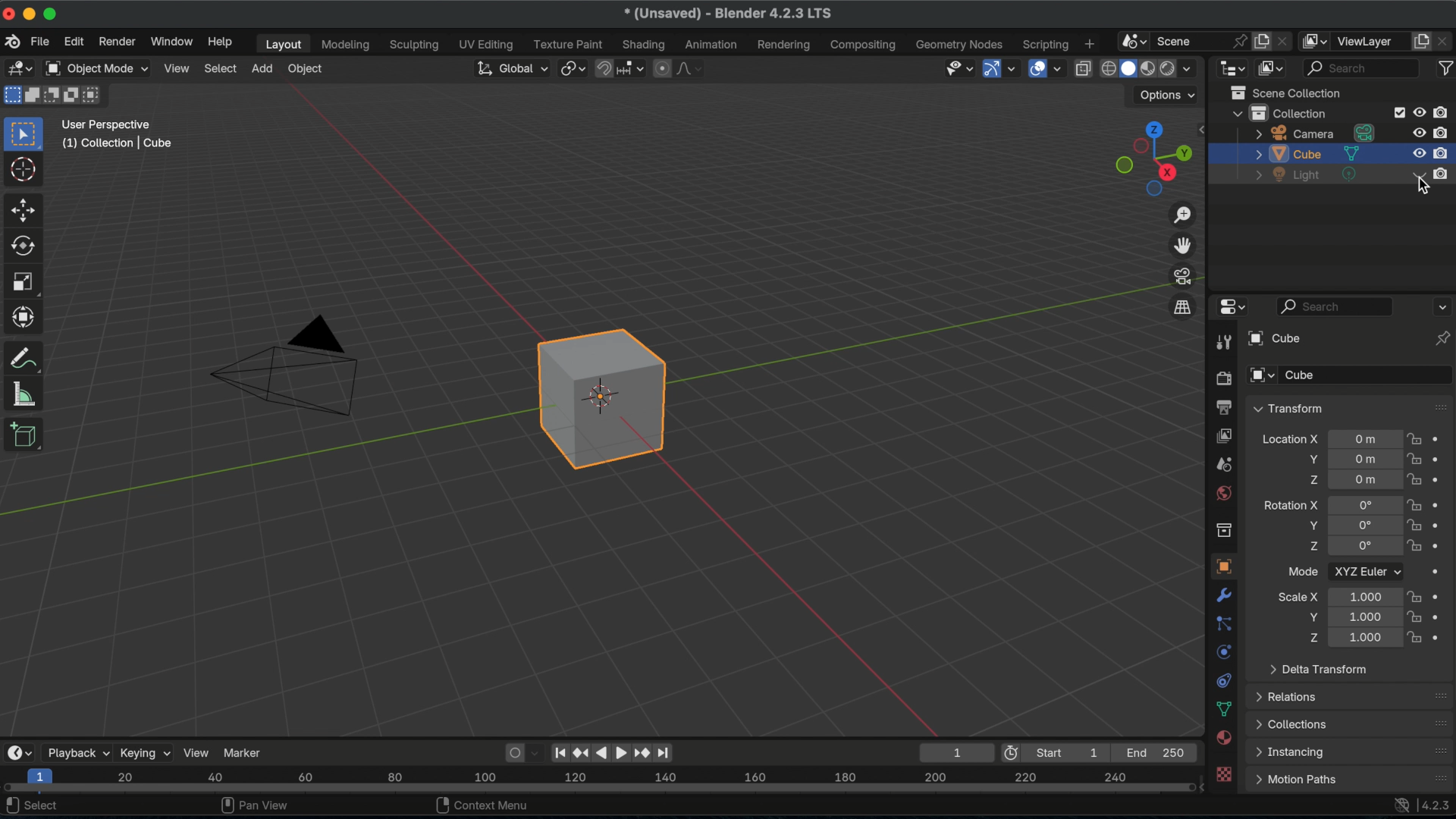 This screenshot has height=819, width=1456. What do you see at coordinates (1441, 571) in the screenshot?
I see `animate property` at bounding box center [1441, 571].